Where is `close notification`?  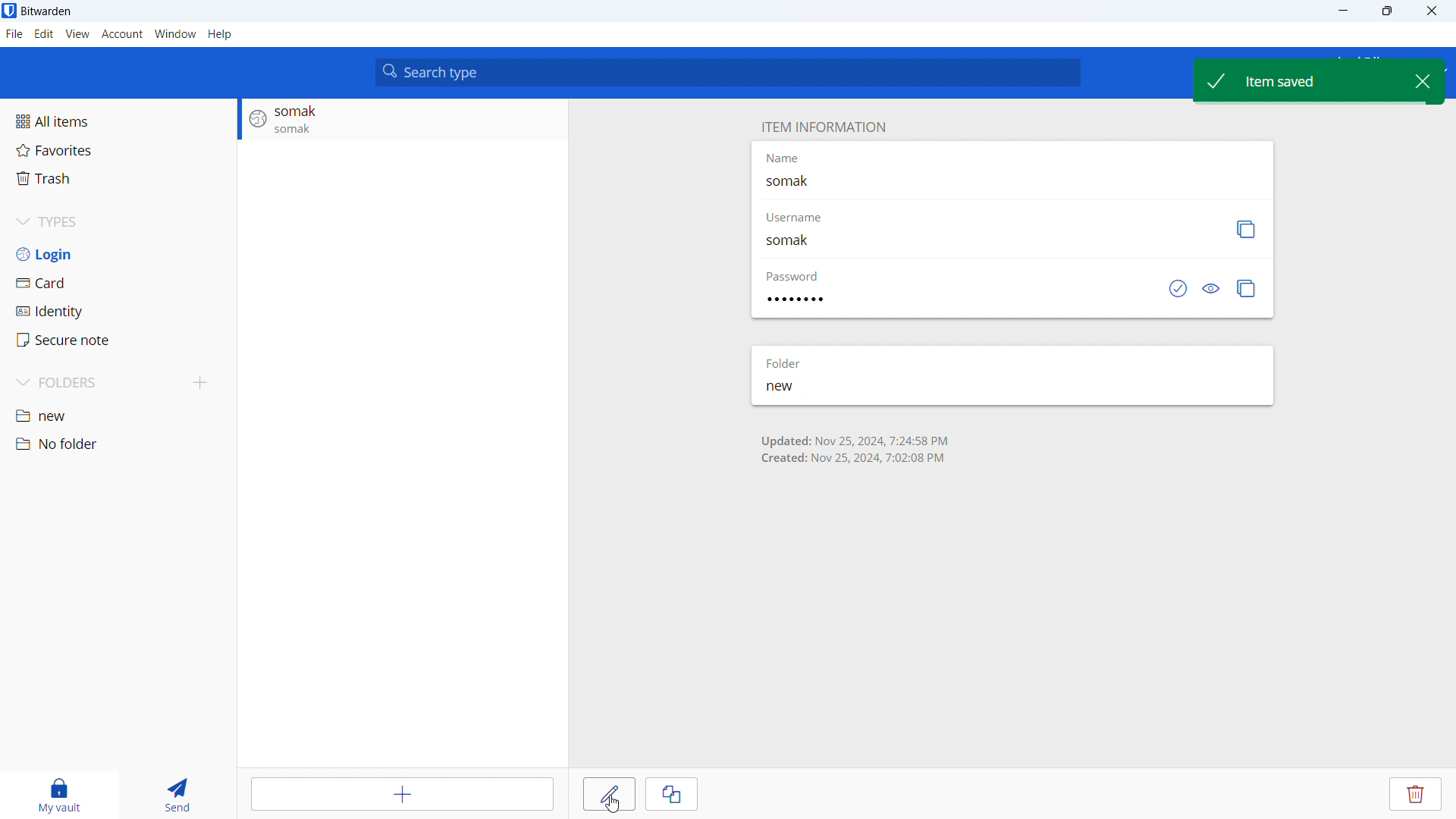
close notification is located at coordinates (1424, 80).